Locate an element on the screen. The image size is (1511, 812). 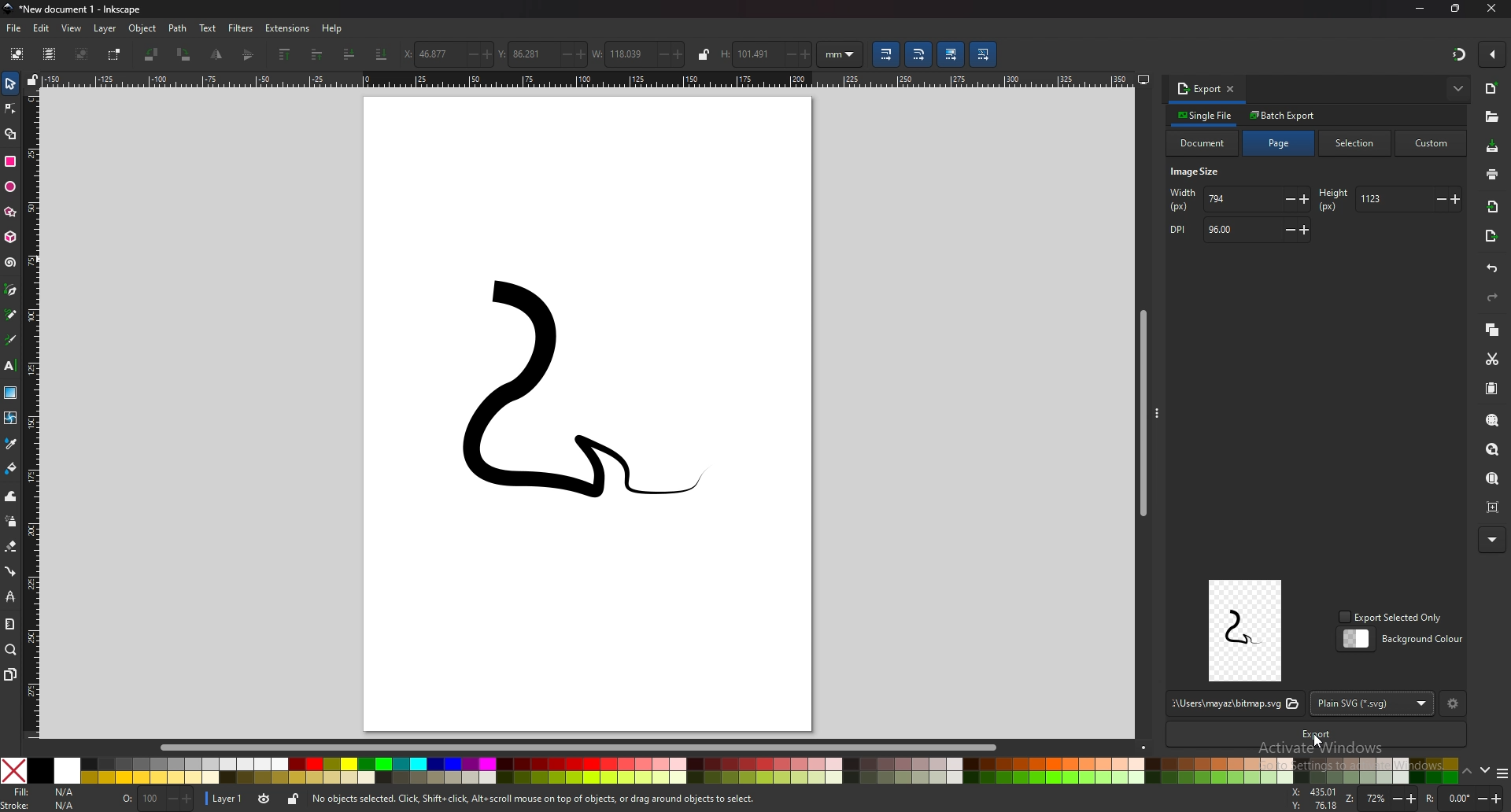
width is located at coordinates (639, 53).